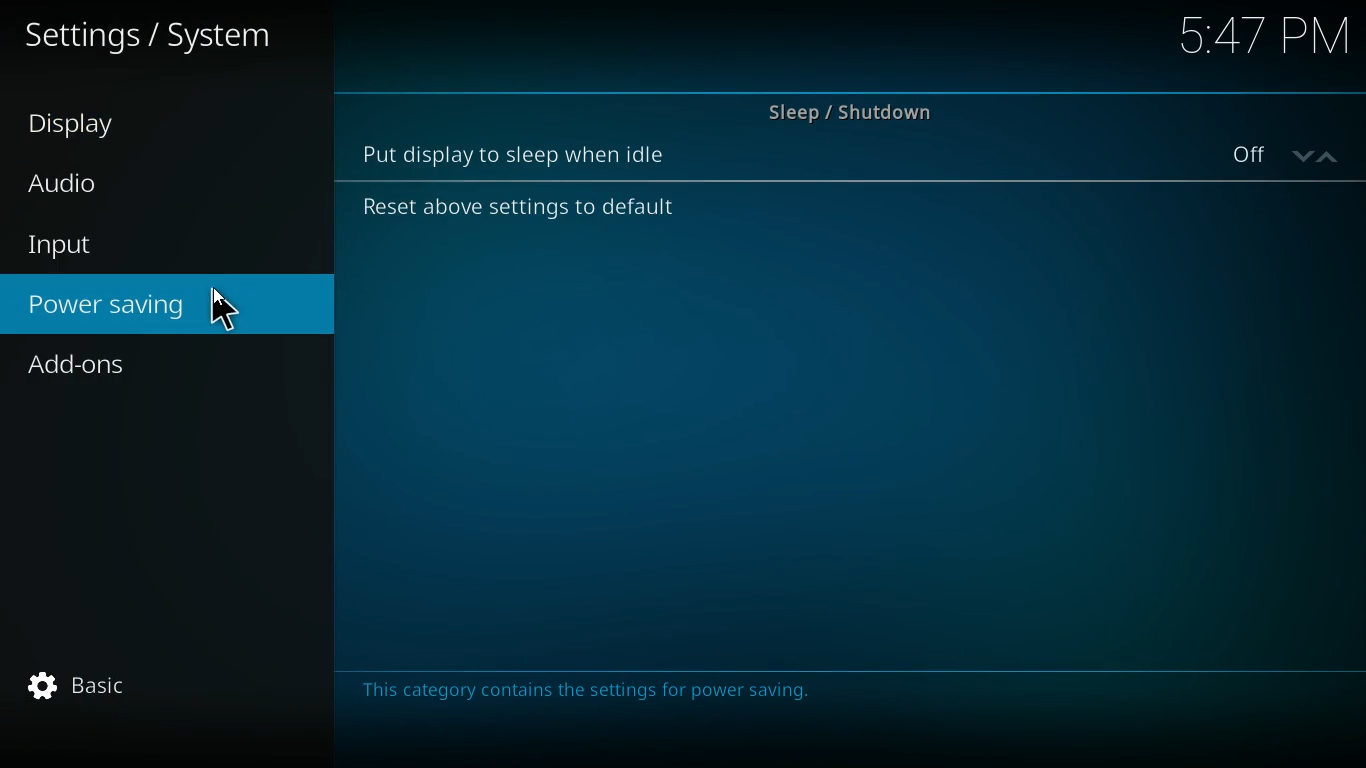 This screenshot has width=1366, height=768. I want to click on basic, so click(85, 690).